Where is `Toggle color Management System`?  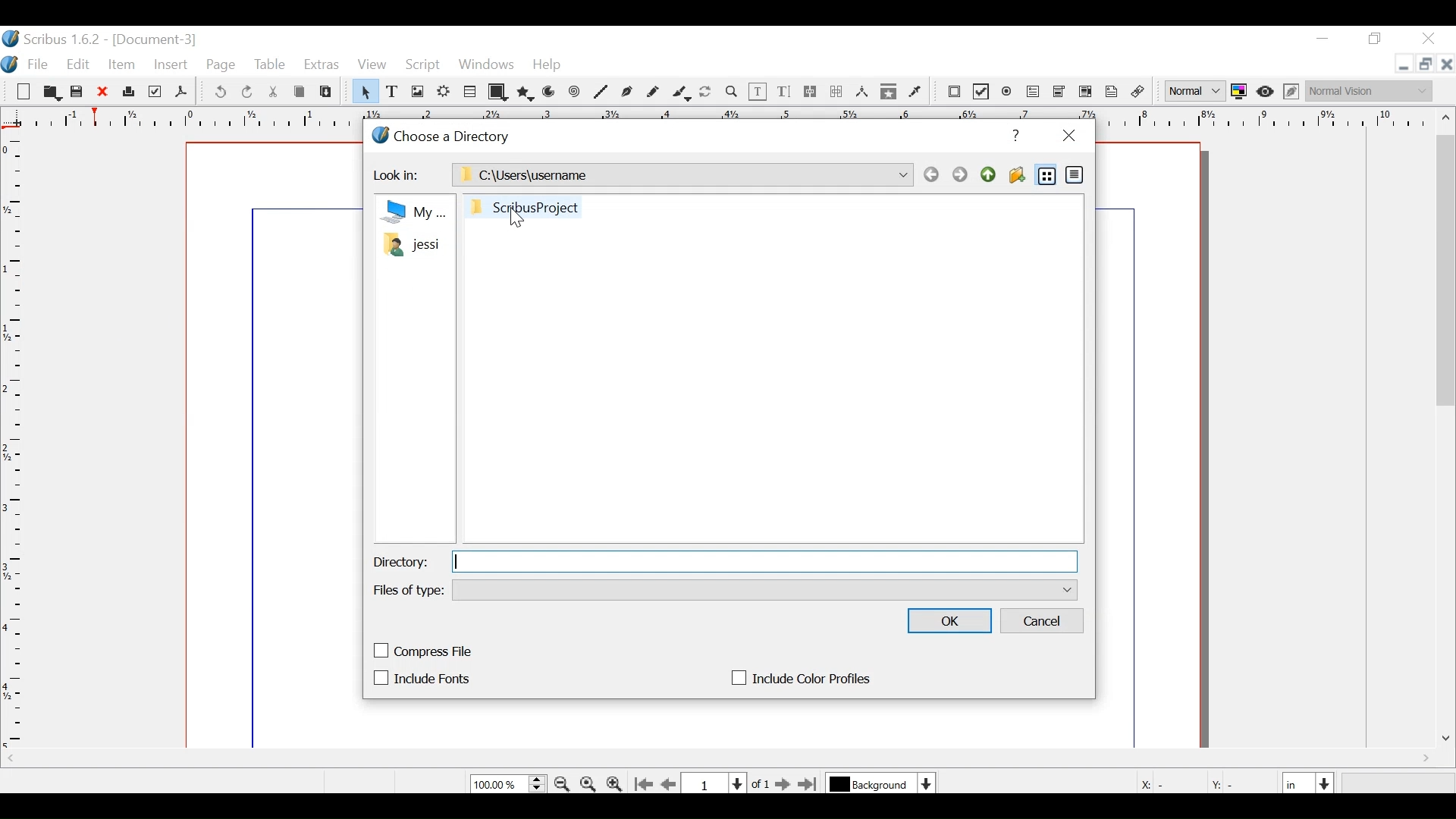 Toggle color Management System is located at coordinates (1239, 93).